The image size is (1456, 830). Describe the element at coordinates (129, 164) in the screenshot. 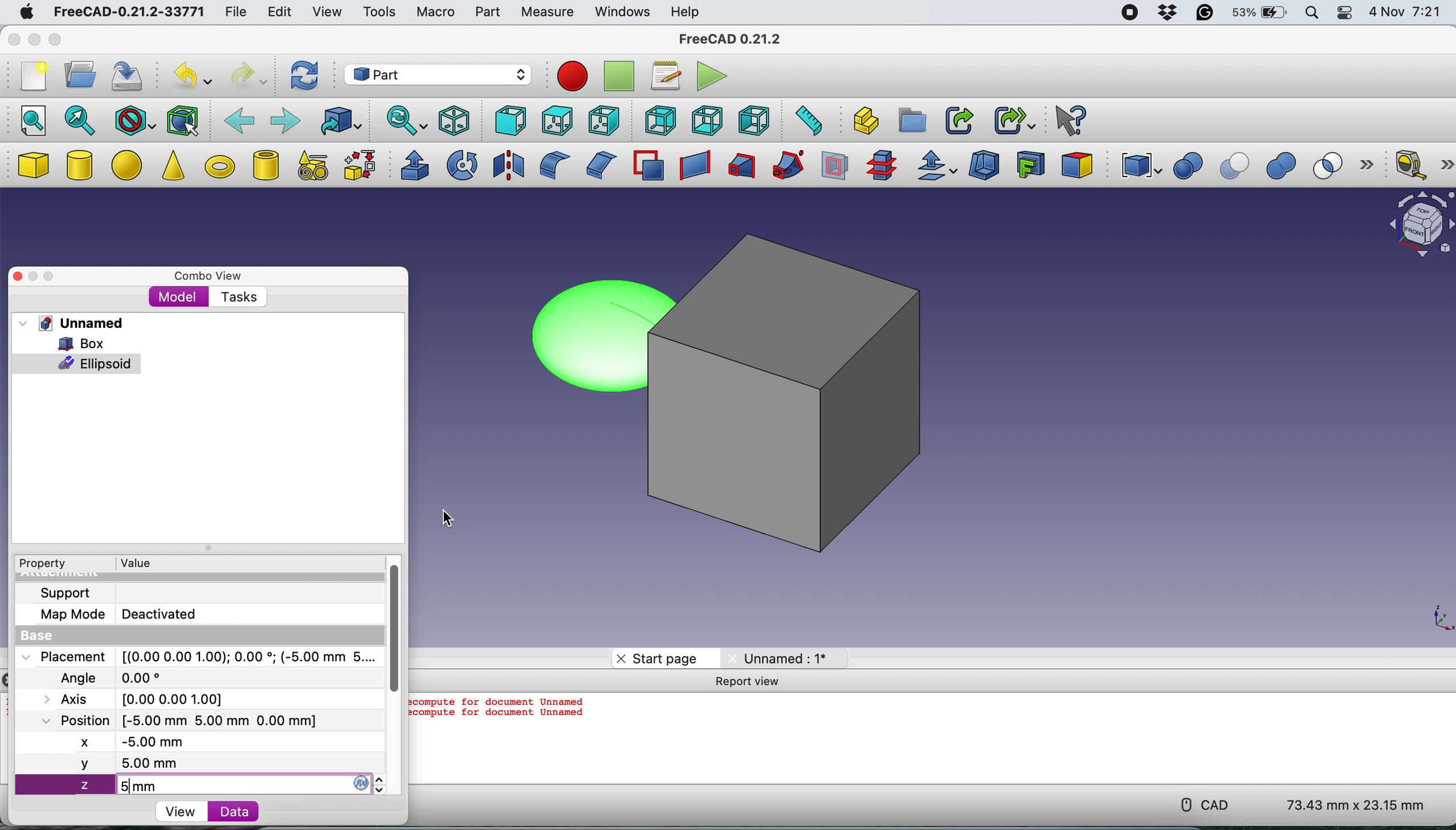

I see `ellipse` at that location.